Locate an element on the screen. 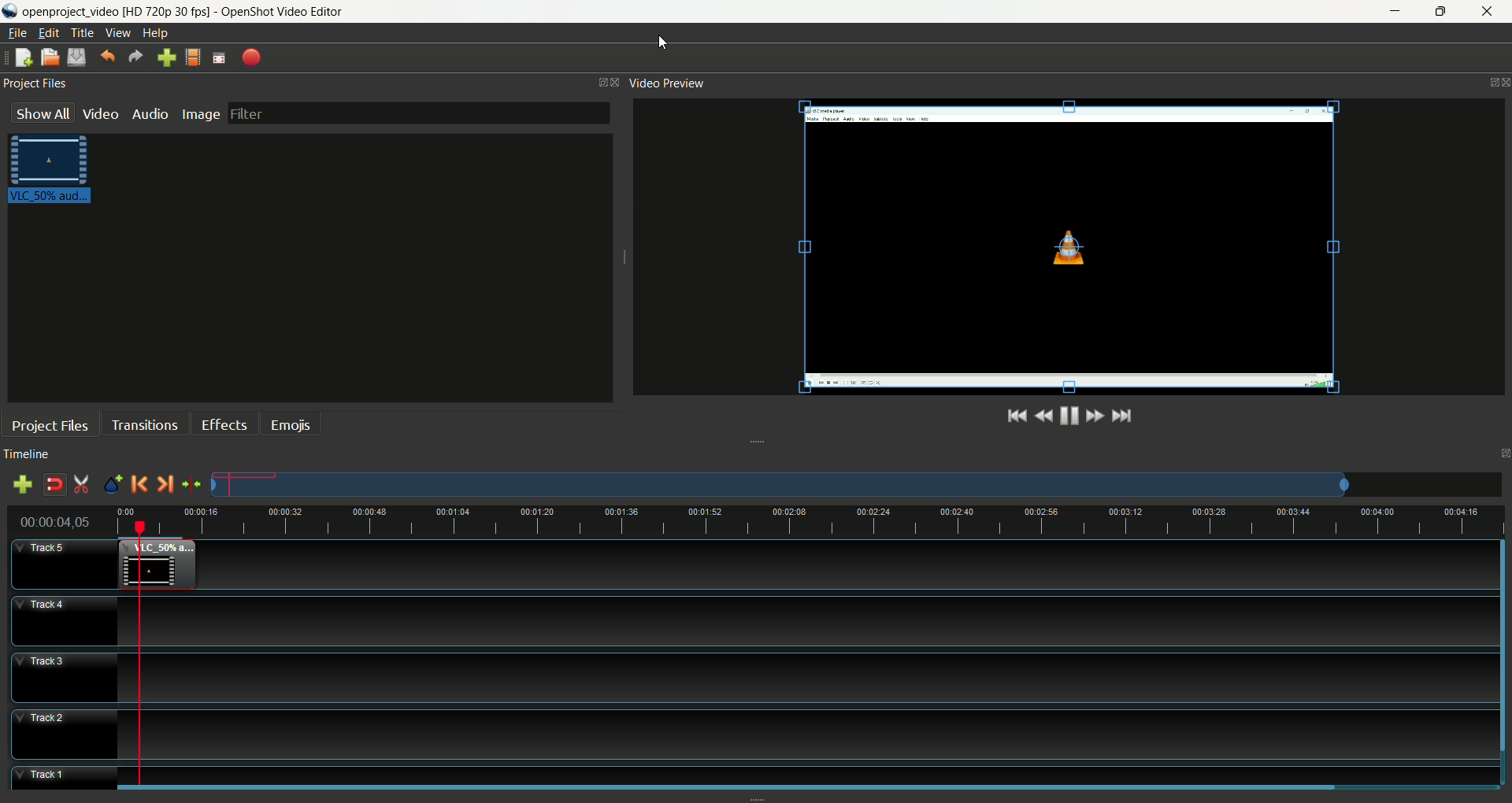  undo is located at coordinates (107, 54).